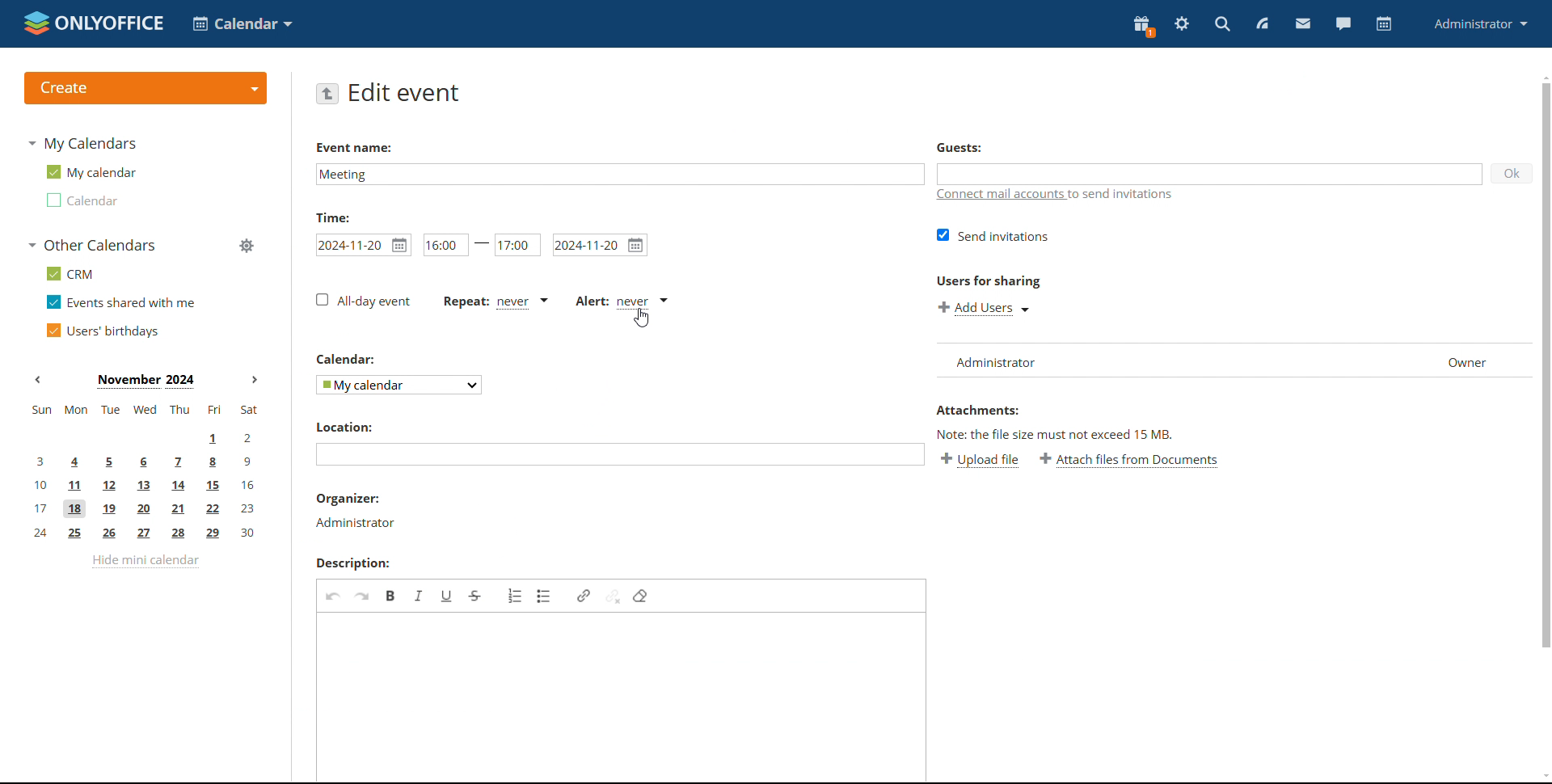 Image resolution: width=1552 pixels, height=784 pixels. What do you see at coordinates (242, 23) in the screenshot?
I see `select application` at bounding box center [242, 23].